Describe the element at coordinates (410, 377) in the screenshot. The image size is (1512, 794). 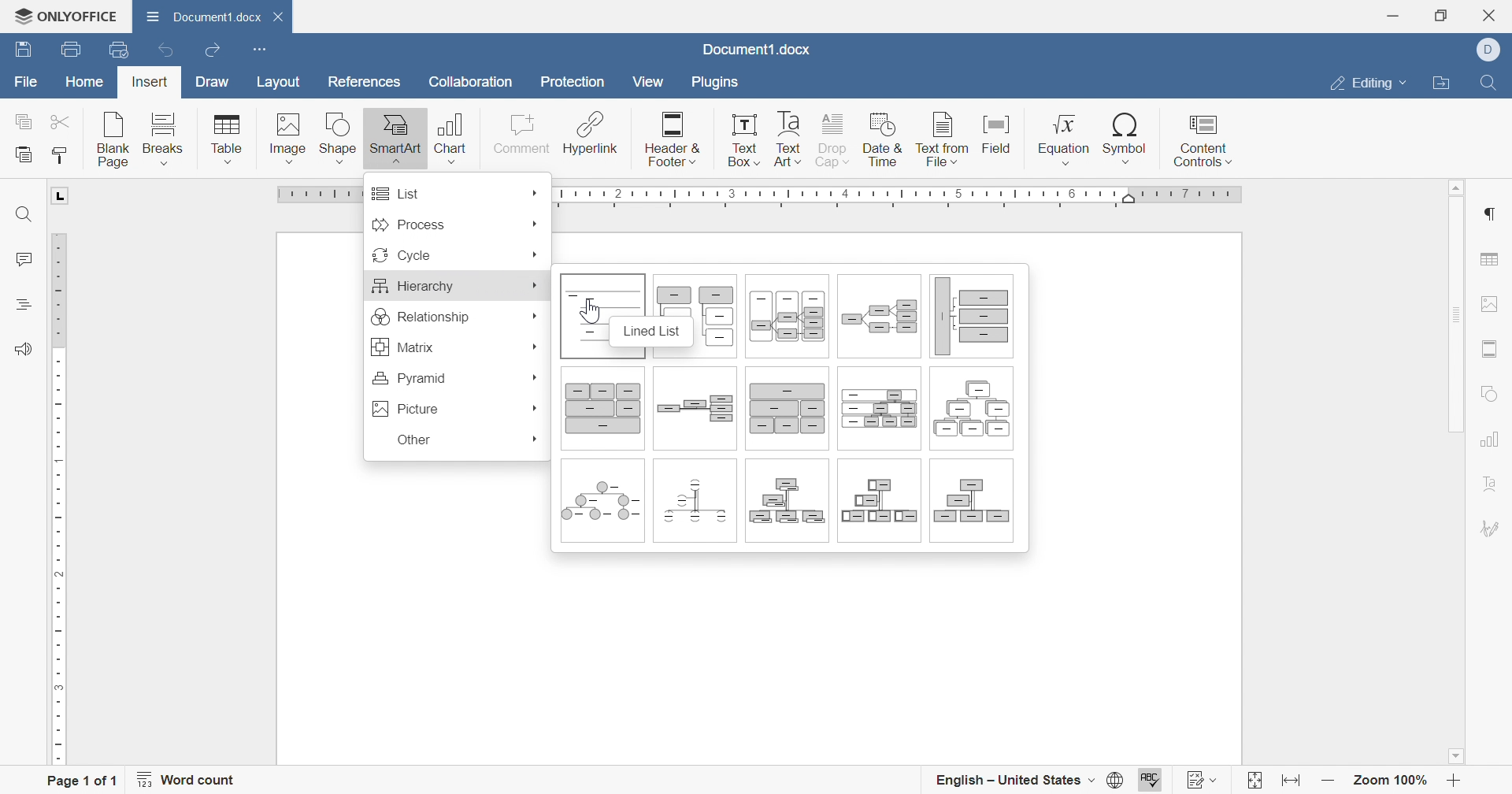
I see `Pyramid` at that location.